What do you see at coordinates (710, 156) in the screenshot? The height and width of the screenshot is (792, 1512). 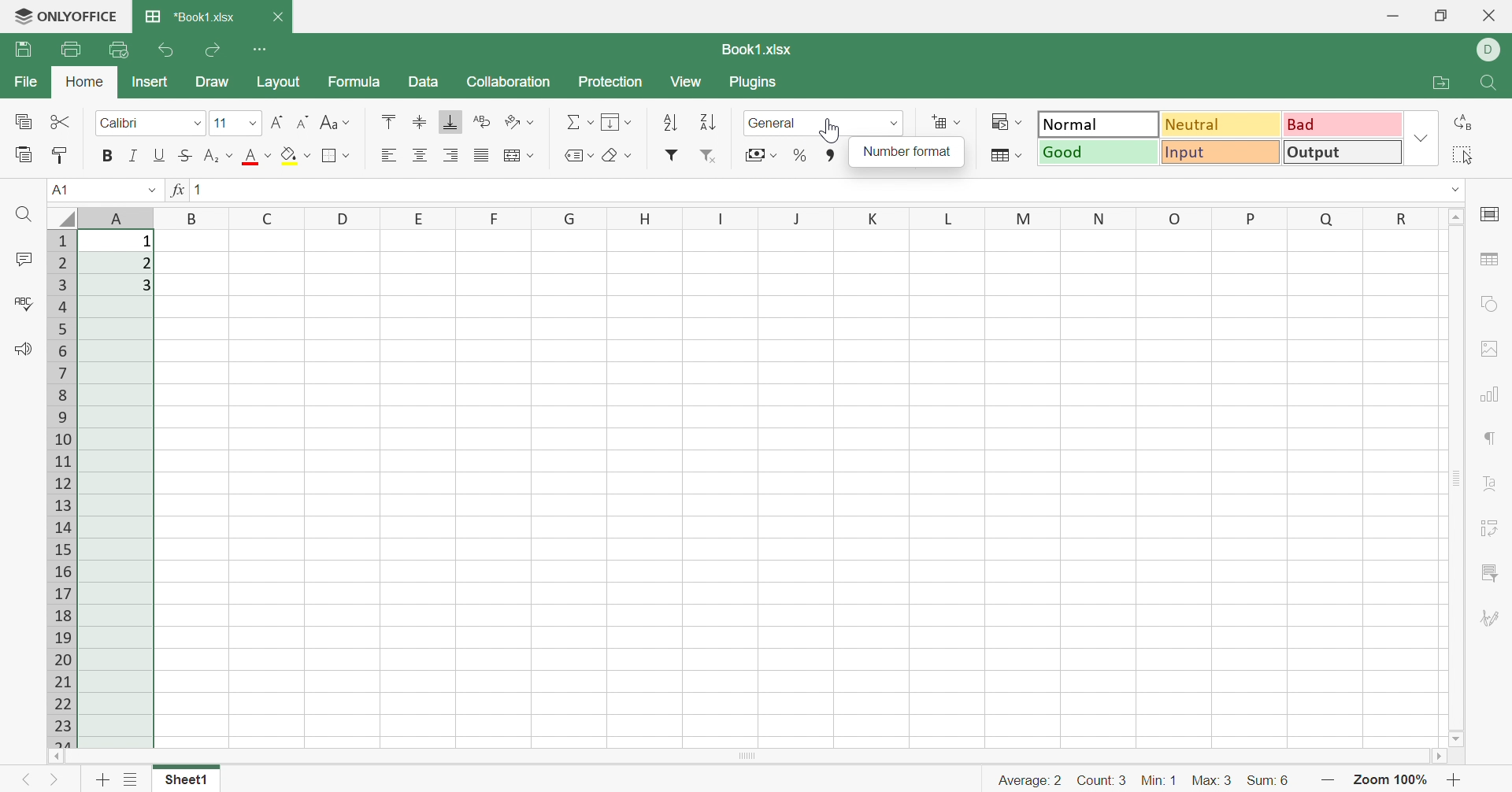 I see `Remove filter` at bounding box center [710, 156].